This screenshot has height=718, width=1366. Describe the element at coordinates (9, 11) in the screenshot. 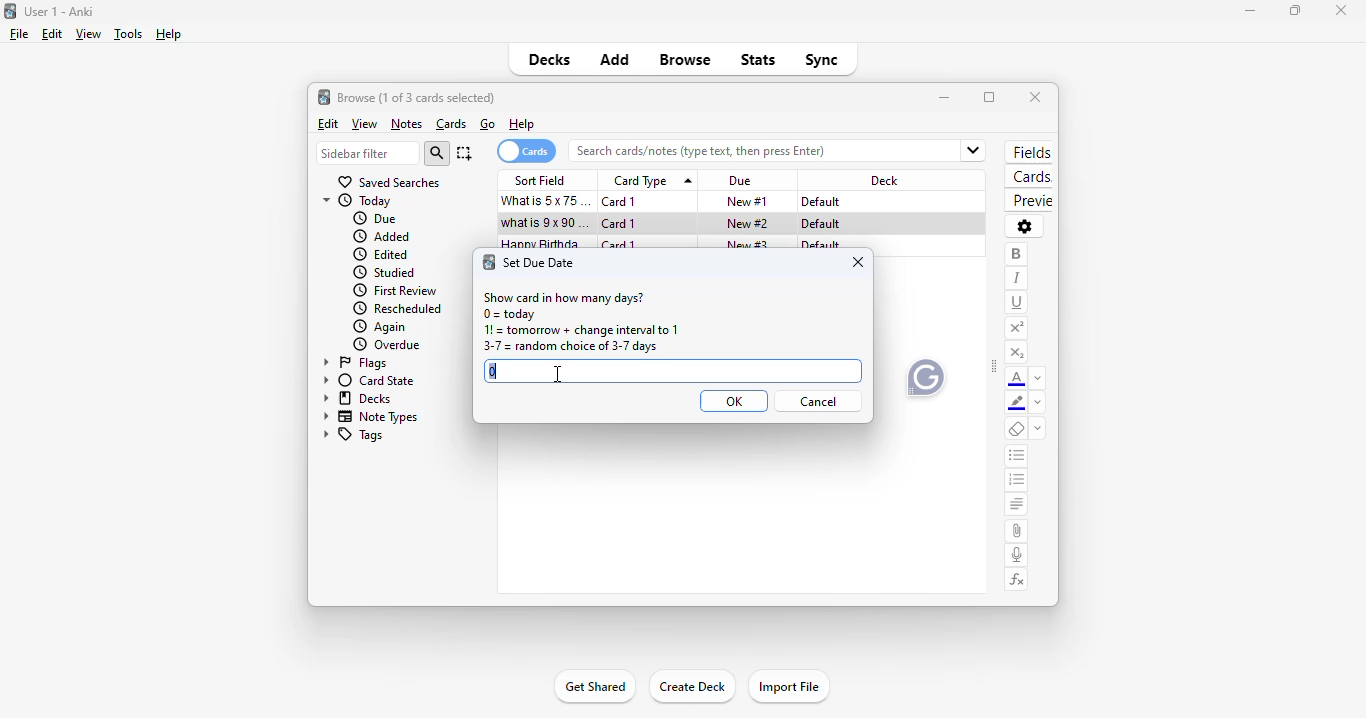

I see `logo` at that location.